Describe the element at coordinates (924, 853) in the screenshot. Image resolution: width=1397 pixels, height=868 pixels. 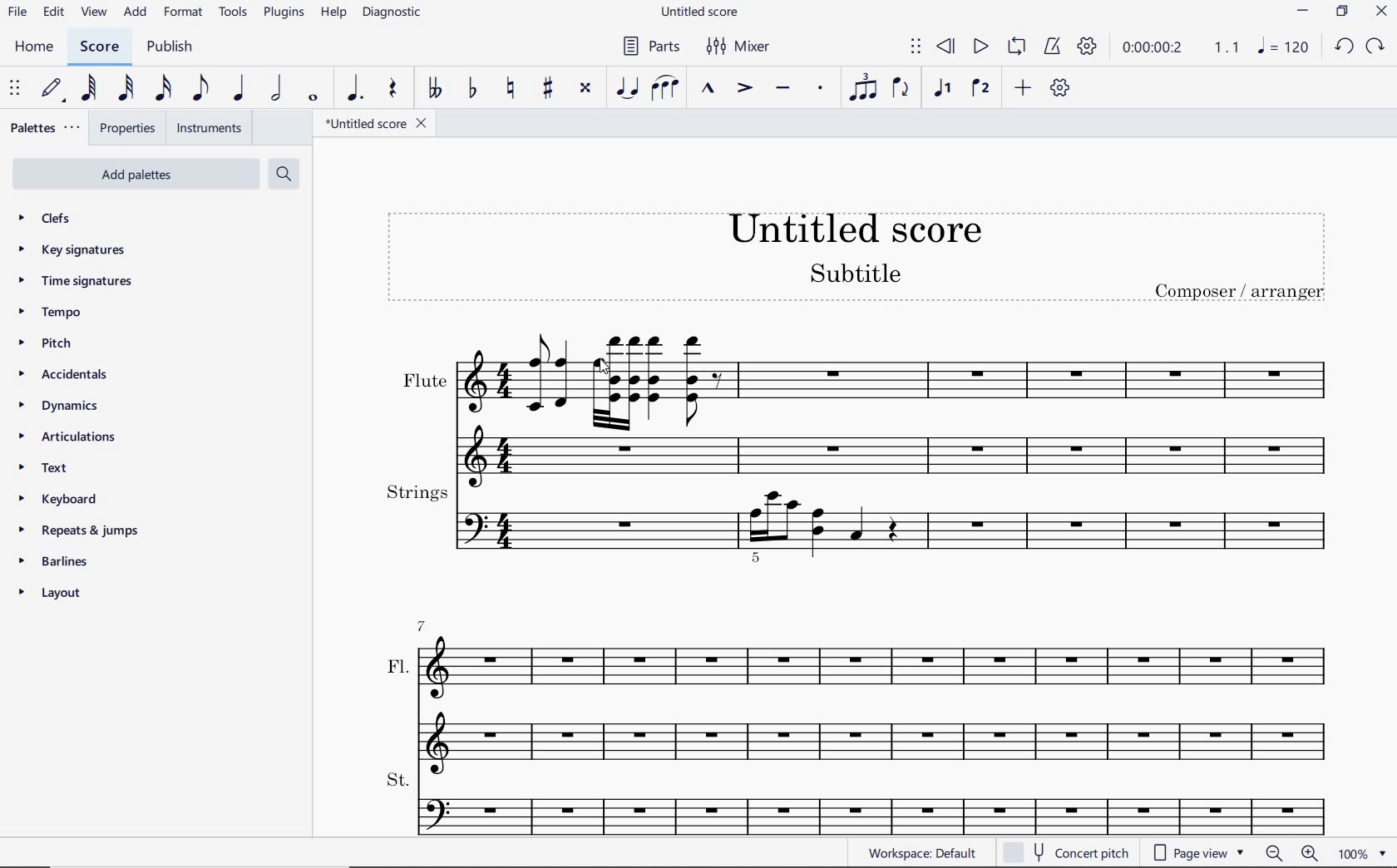
I see `WORKSPACE: DEFAULT` at that location.